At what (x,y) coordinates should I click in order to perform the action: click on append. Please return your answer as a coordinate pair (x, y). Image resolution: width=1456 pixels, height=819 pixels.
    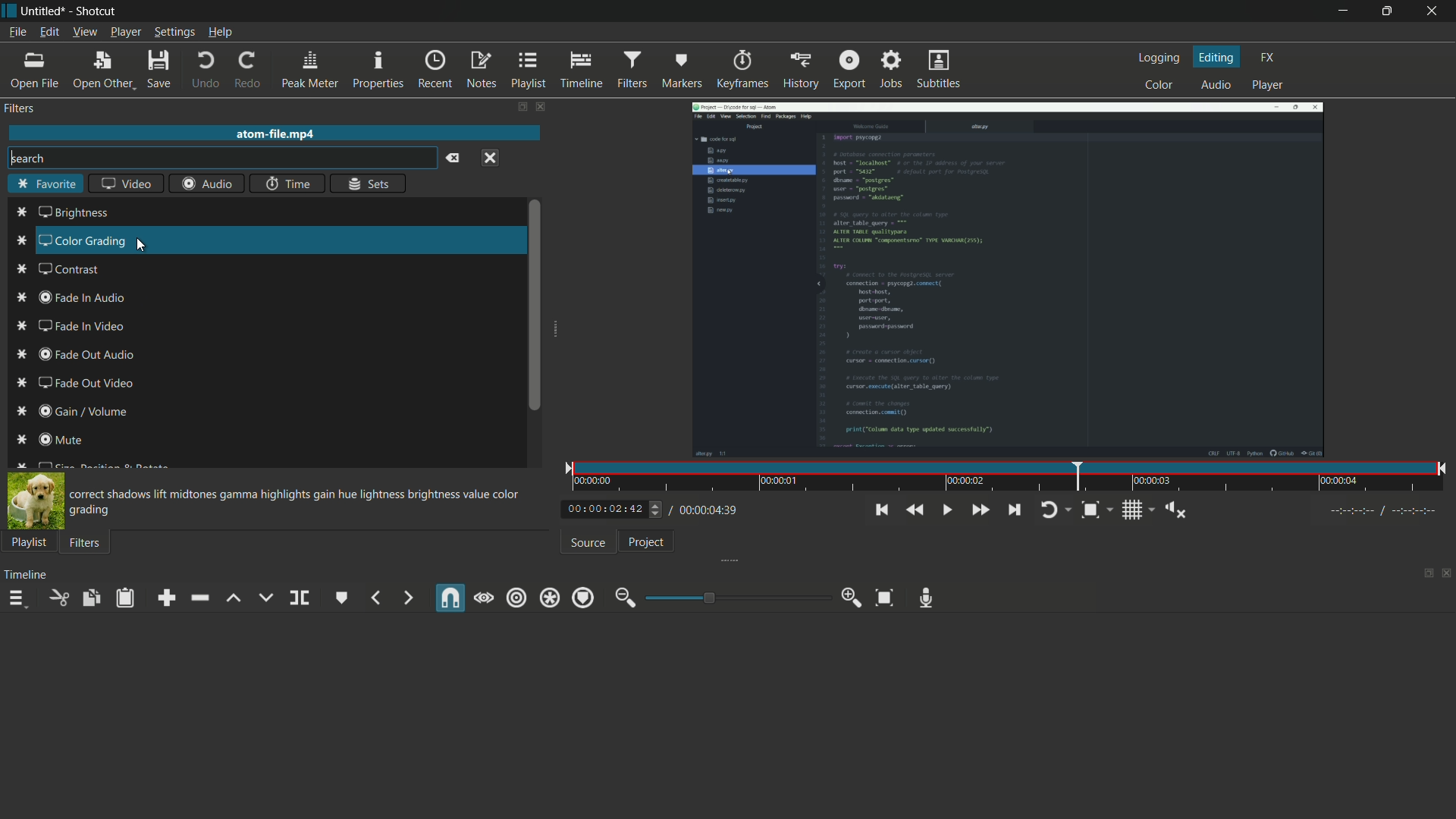
    Looking at the image, I should click on (170, 598).